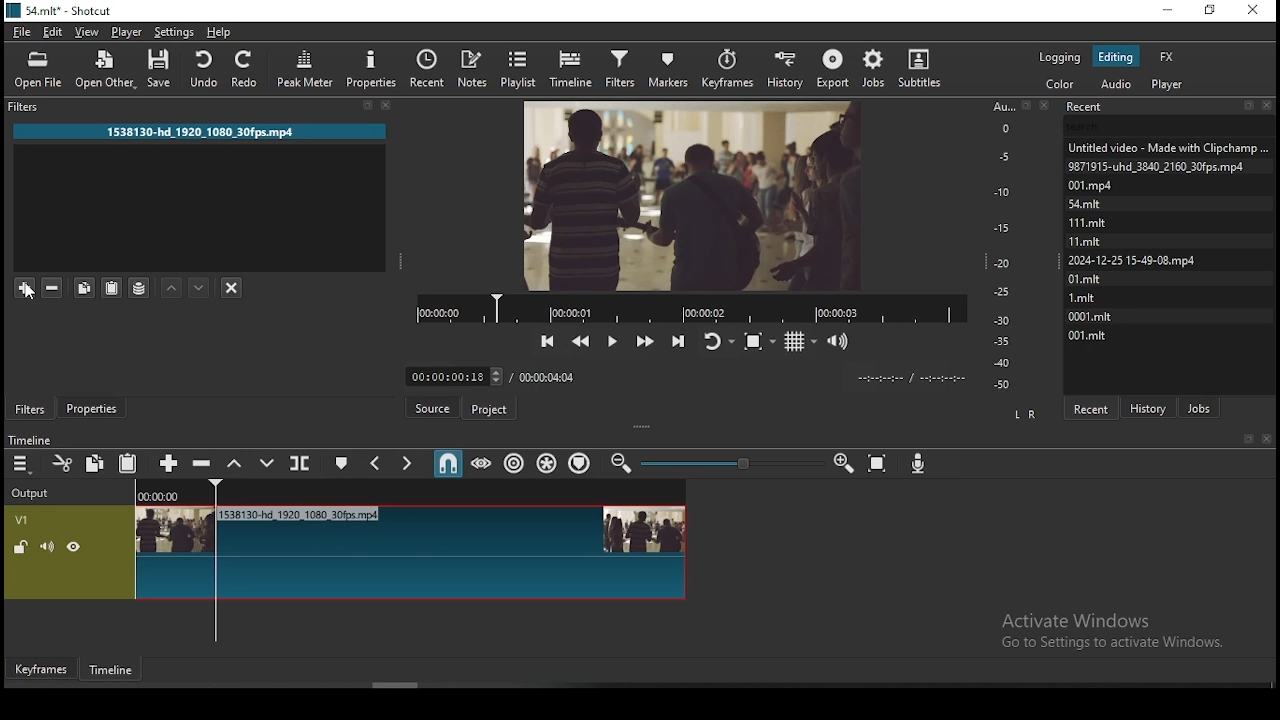 This screenshot has height=720, width=1280. I want to click on record audio, so click(919, 460).